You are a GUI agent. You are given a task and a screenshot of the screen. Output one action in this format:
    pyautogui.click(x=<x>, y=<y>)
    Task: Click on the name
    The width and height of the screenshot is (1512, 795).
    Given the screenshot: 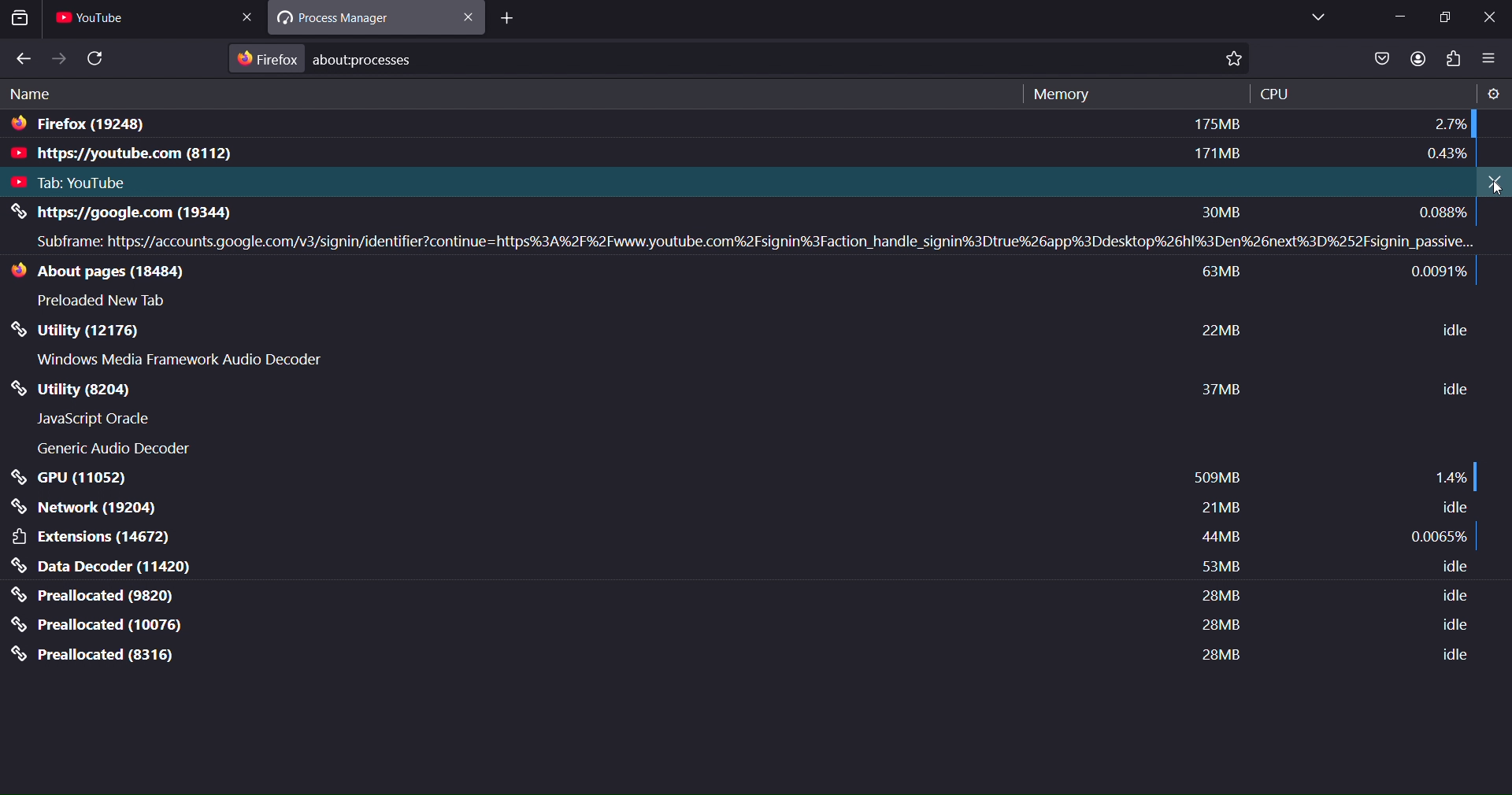 What is the action you would take?
    pyautogui.click(x=34, y=96)
    